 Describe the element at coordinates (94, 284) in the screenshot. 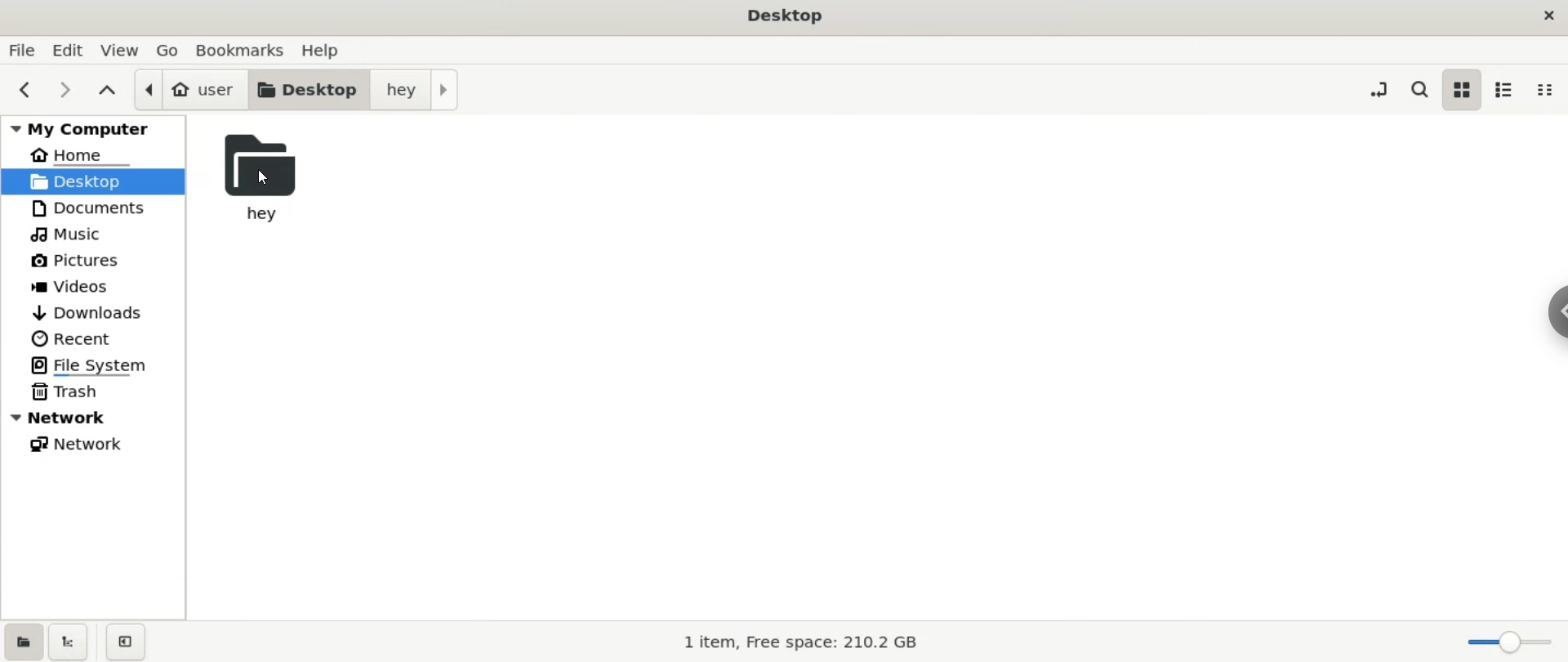

I see `videos` at that location.